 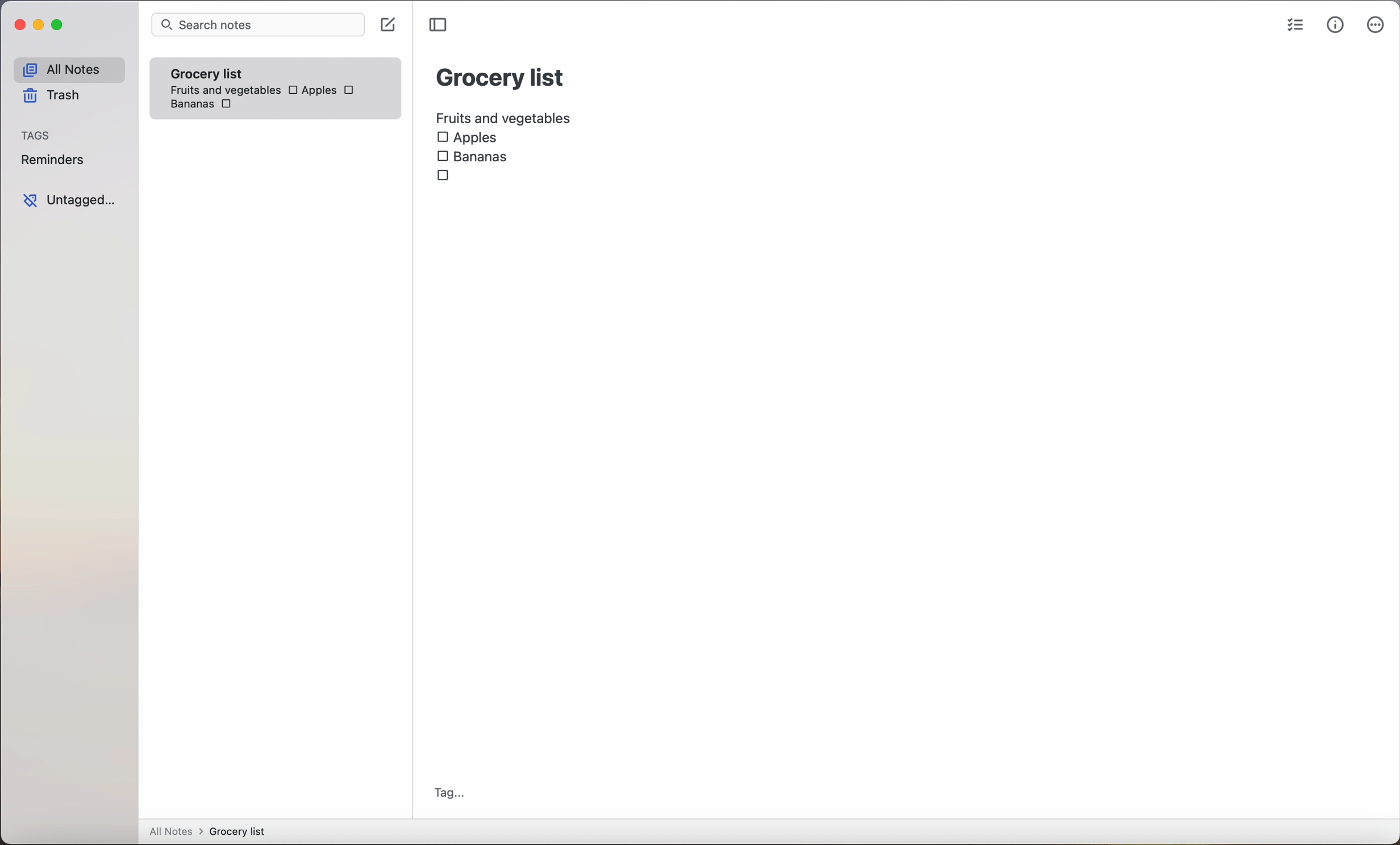 I want to click on grocery list note fruits and vegetables, so click(x=222, y=77).